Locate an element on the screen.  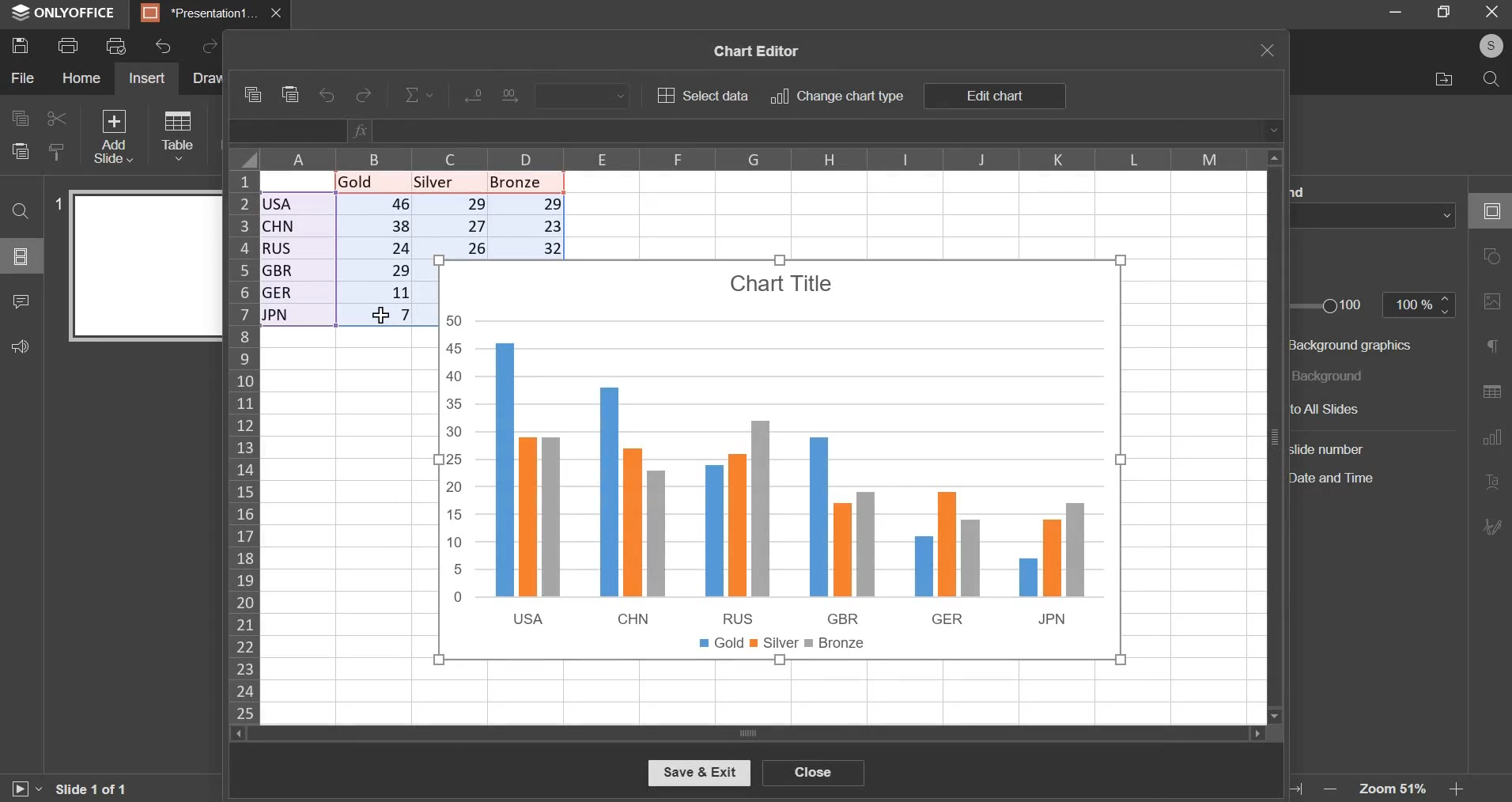
edit chart is located at coordinates (993, 96).